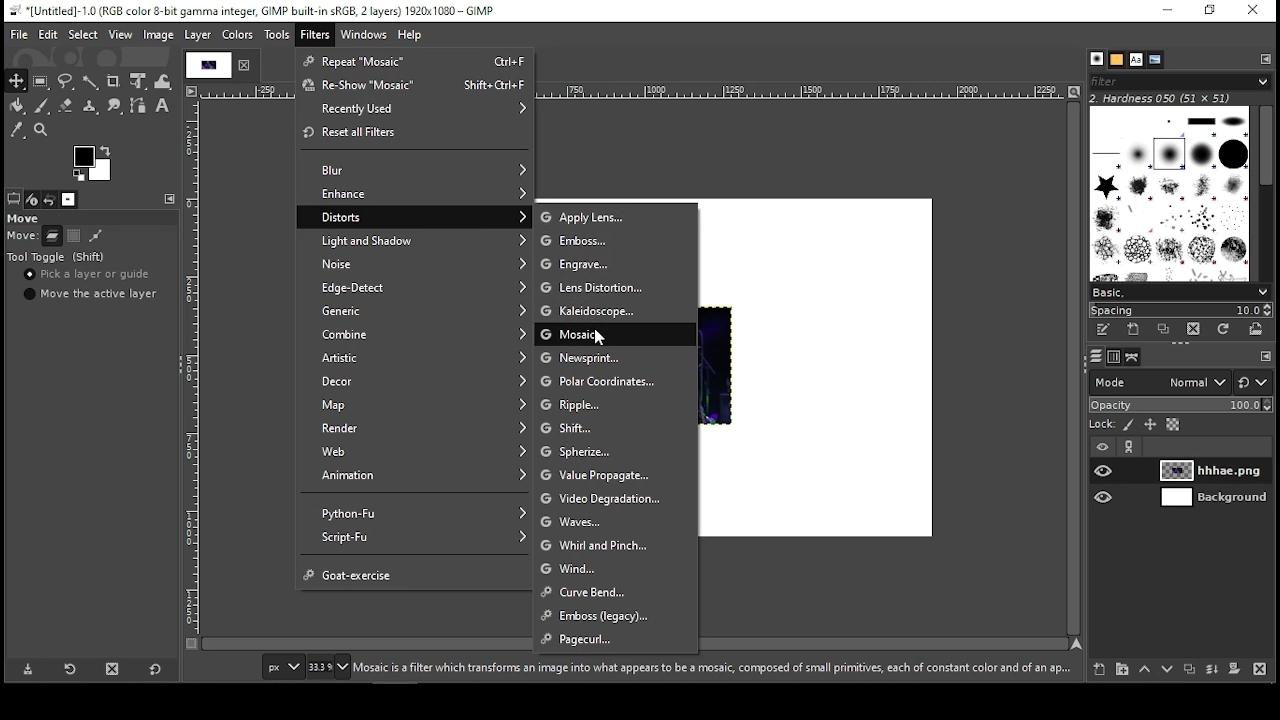 This screenshot has height=720, width=1280. Describe the element at coordinates (285, 665) in the screenshot. I see `units` at that location.